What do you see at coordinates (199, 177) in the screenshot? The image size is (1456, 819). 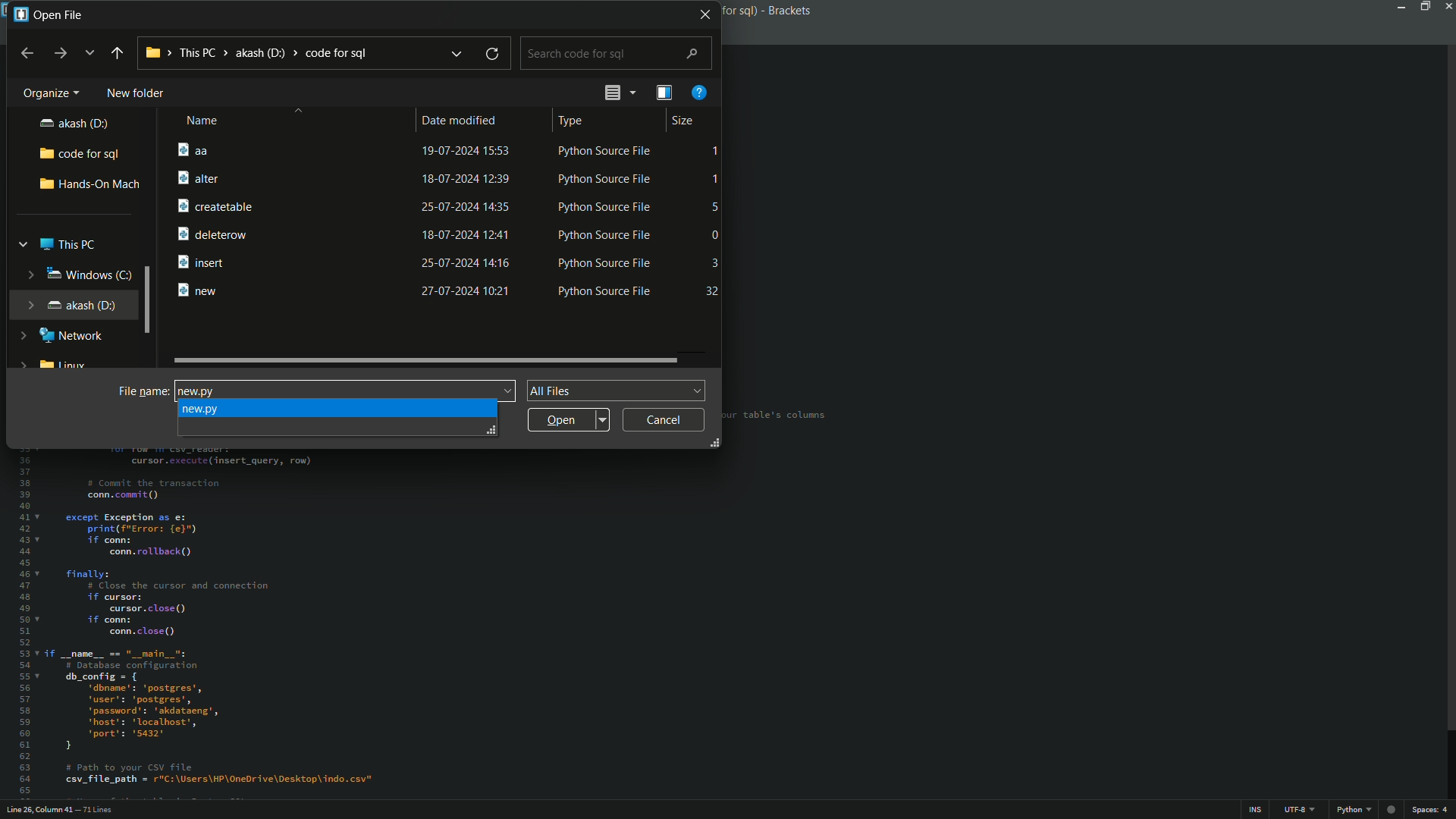 I see `alter` at bounding box center [199, 177].